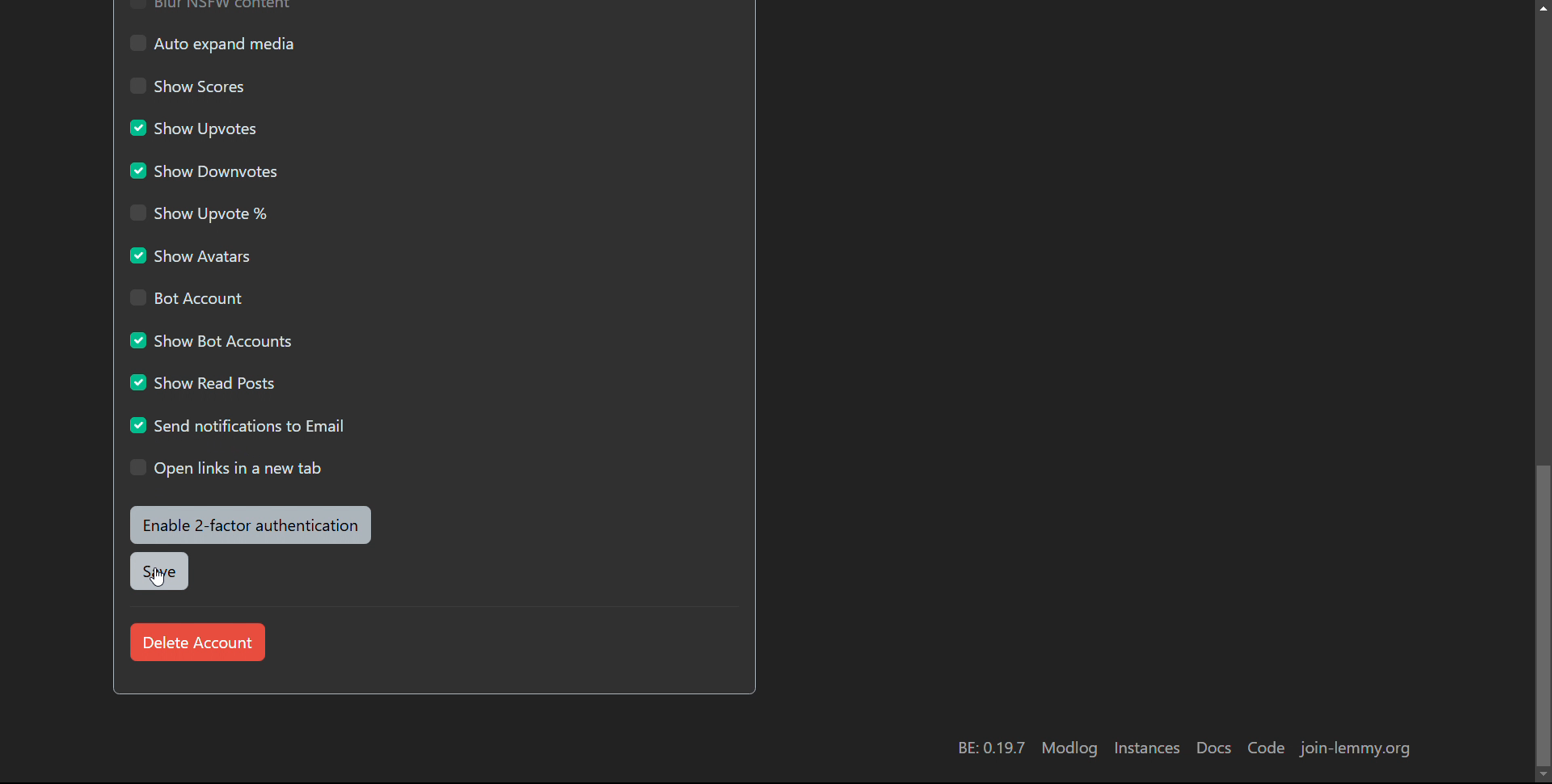  What do you see at coordinates (251, 525) in the screenshot?
I see `enable 2-factor authentication` at bounding box center [251, 525].